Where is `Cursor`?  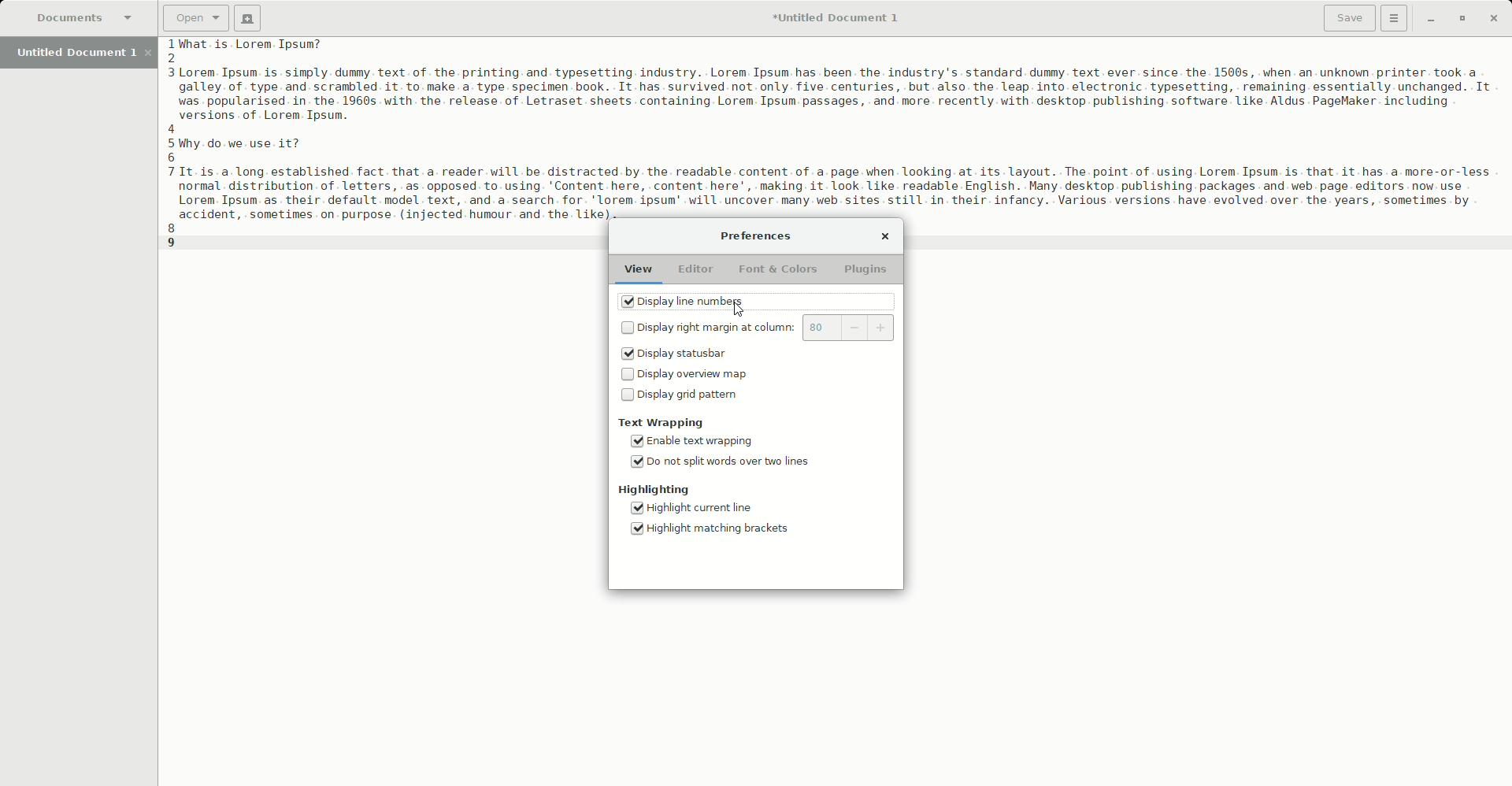
Cursor is located at coordinates (739, 312).